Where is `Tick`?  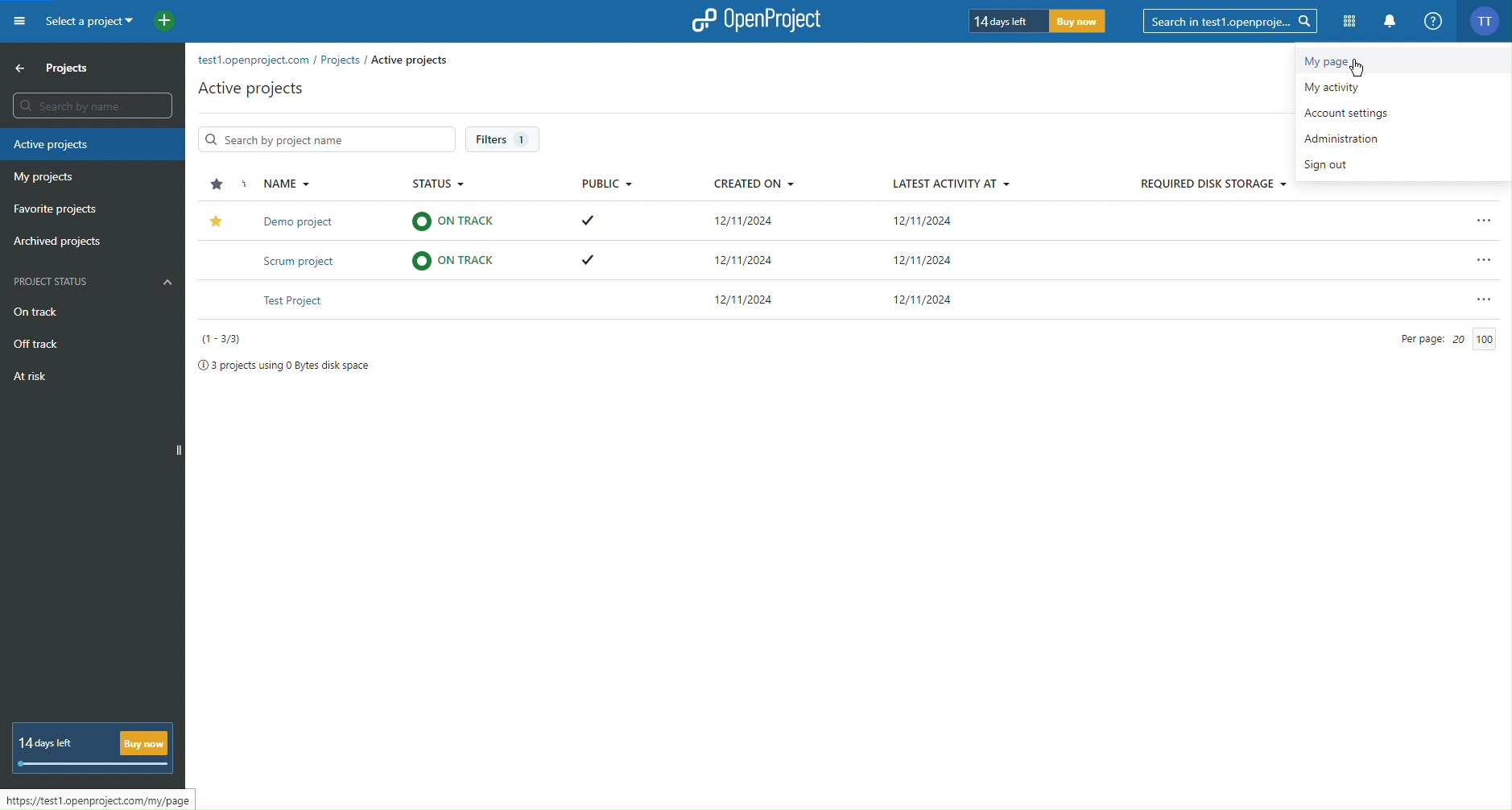
Tick is located at coordinates (593, 262).